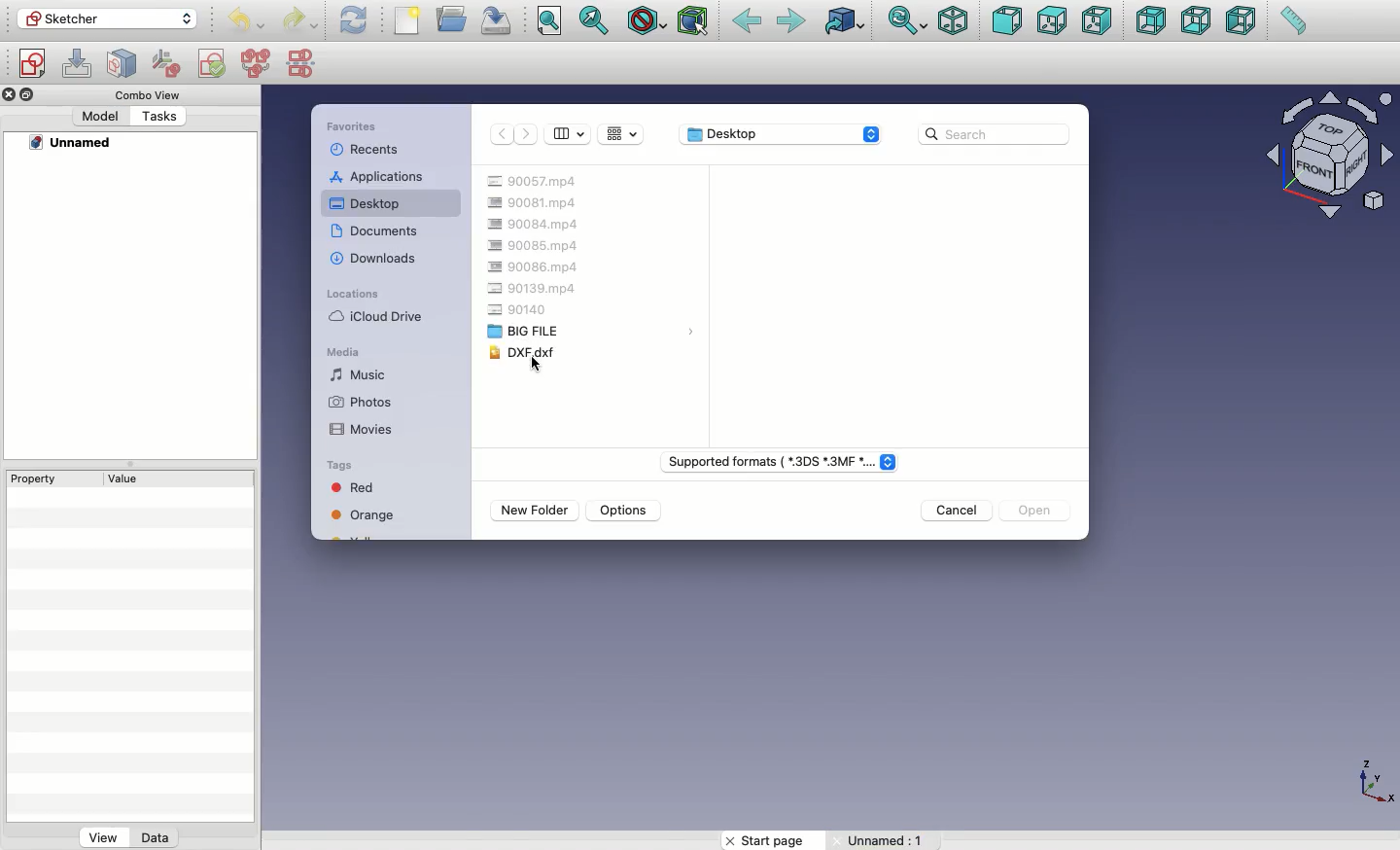  I want to click on Fit selection, so click(594, 20).